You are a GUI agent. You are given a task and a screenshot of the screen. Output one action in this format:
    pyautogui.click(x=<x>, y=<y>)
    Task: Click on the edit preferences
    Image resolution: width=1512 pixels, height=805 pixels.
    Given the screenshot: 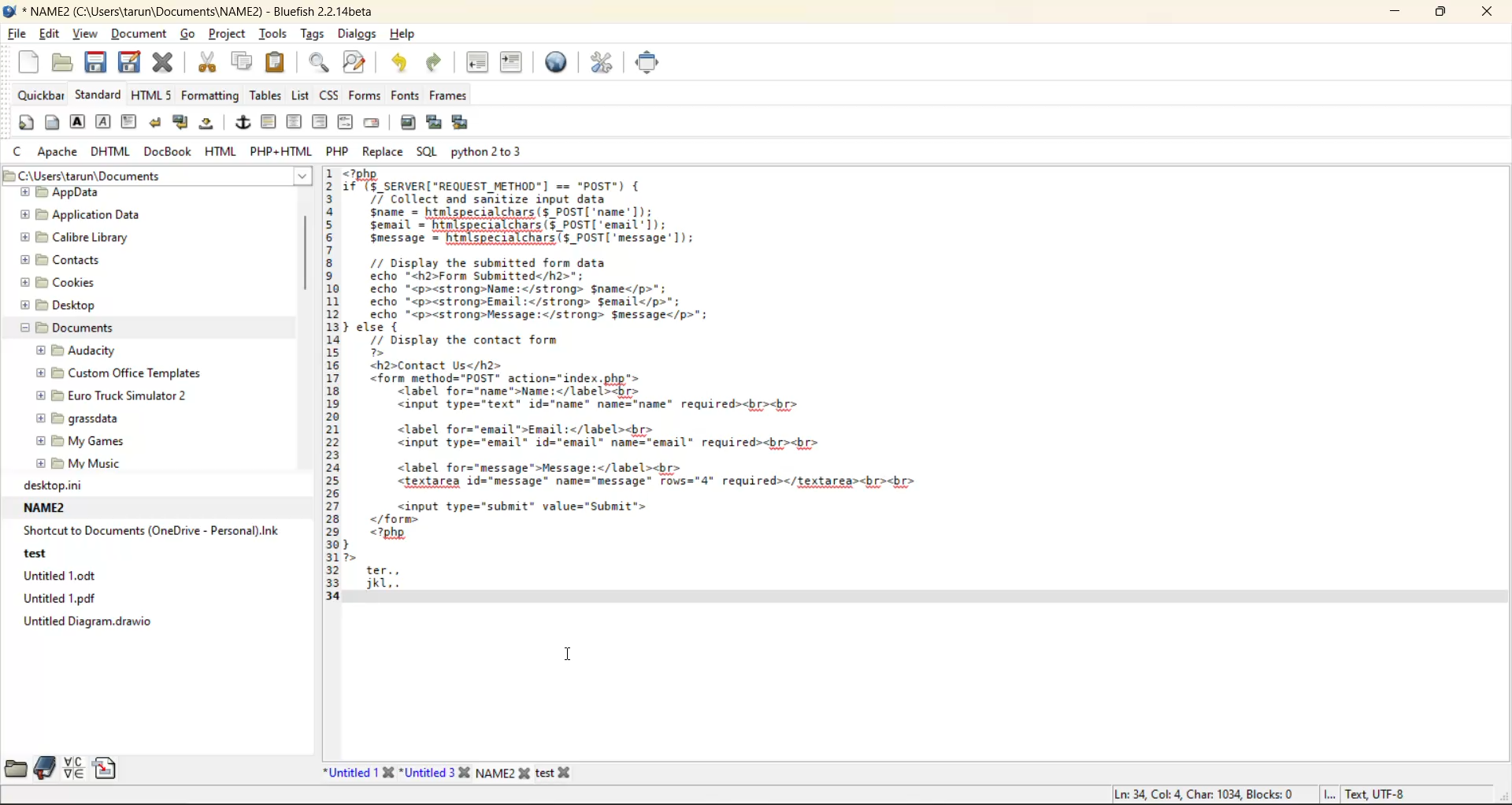 What is the action you would take?
    pyautogui.click(x=606, y=65)
    